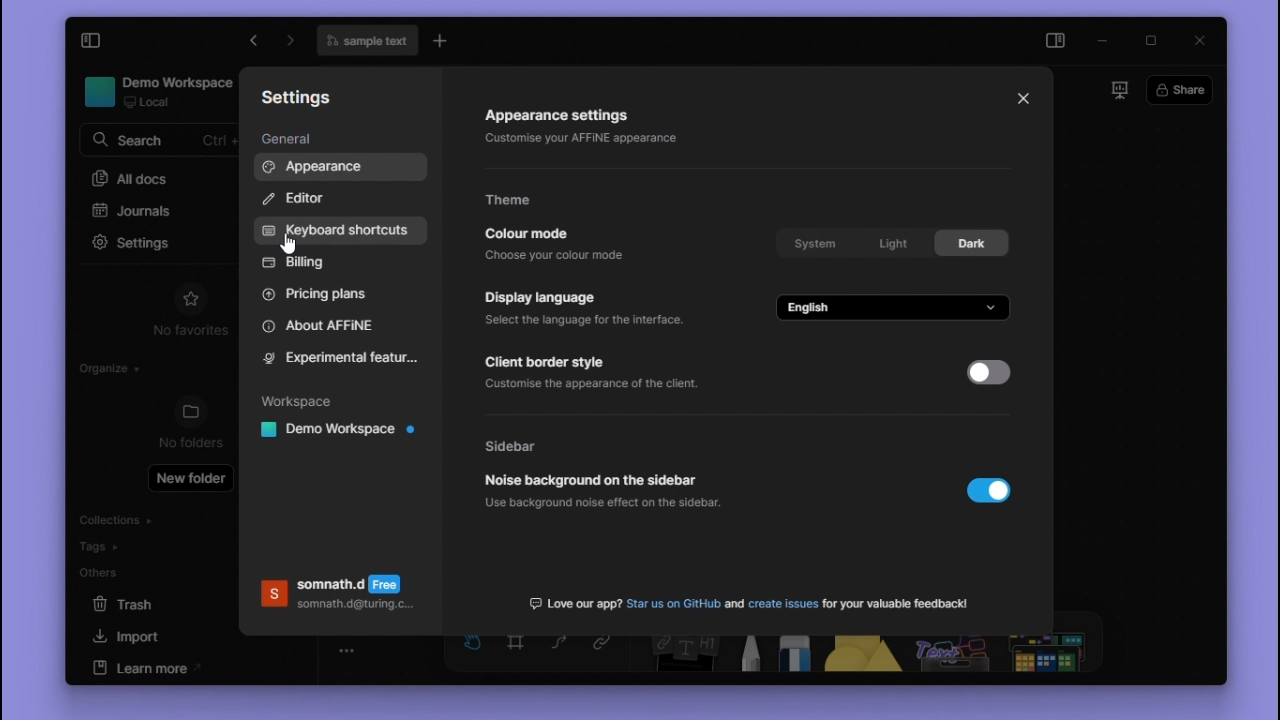 The width and height of the screenshot is (1280, 720). I want to click on workspace name and details, so click(150, 93).